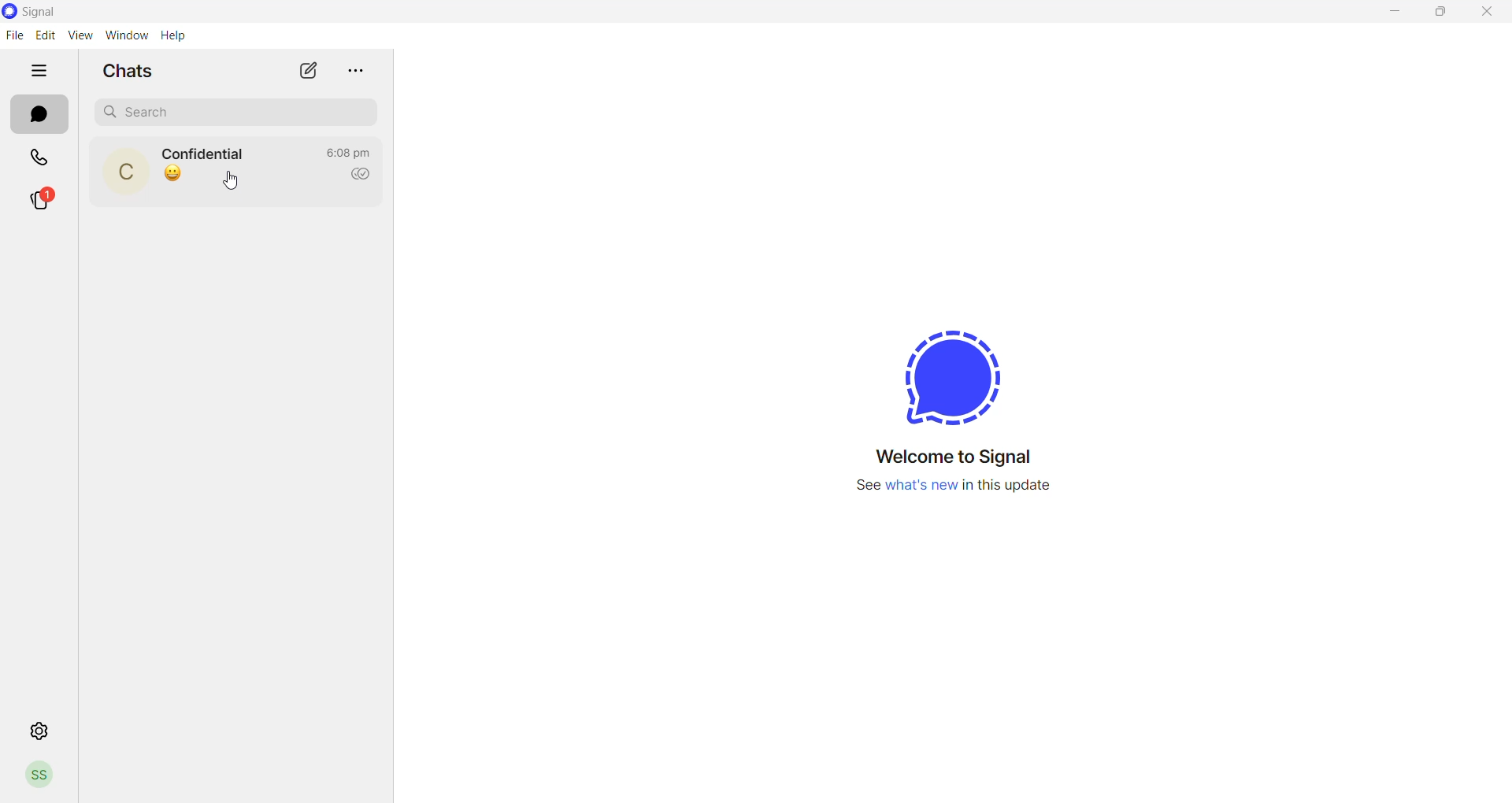  What do you see at coordinates (177, 176) in the screenshot?
I see `last message` at bounding box center [177, 176].